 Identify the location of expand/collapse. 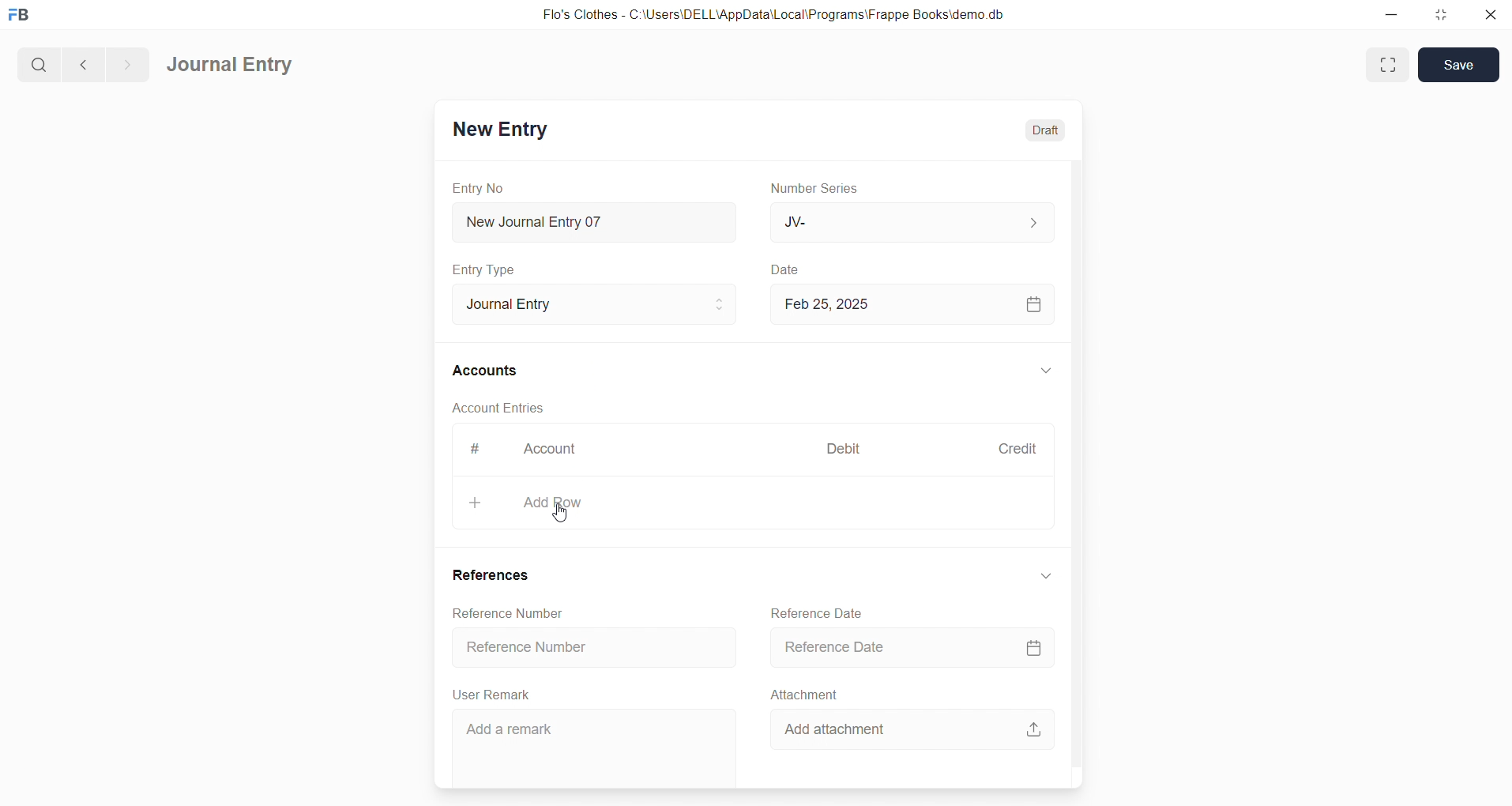
(1045, 371).